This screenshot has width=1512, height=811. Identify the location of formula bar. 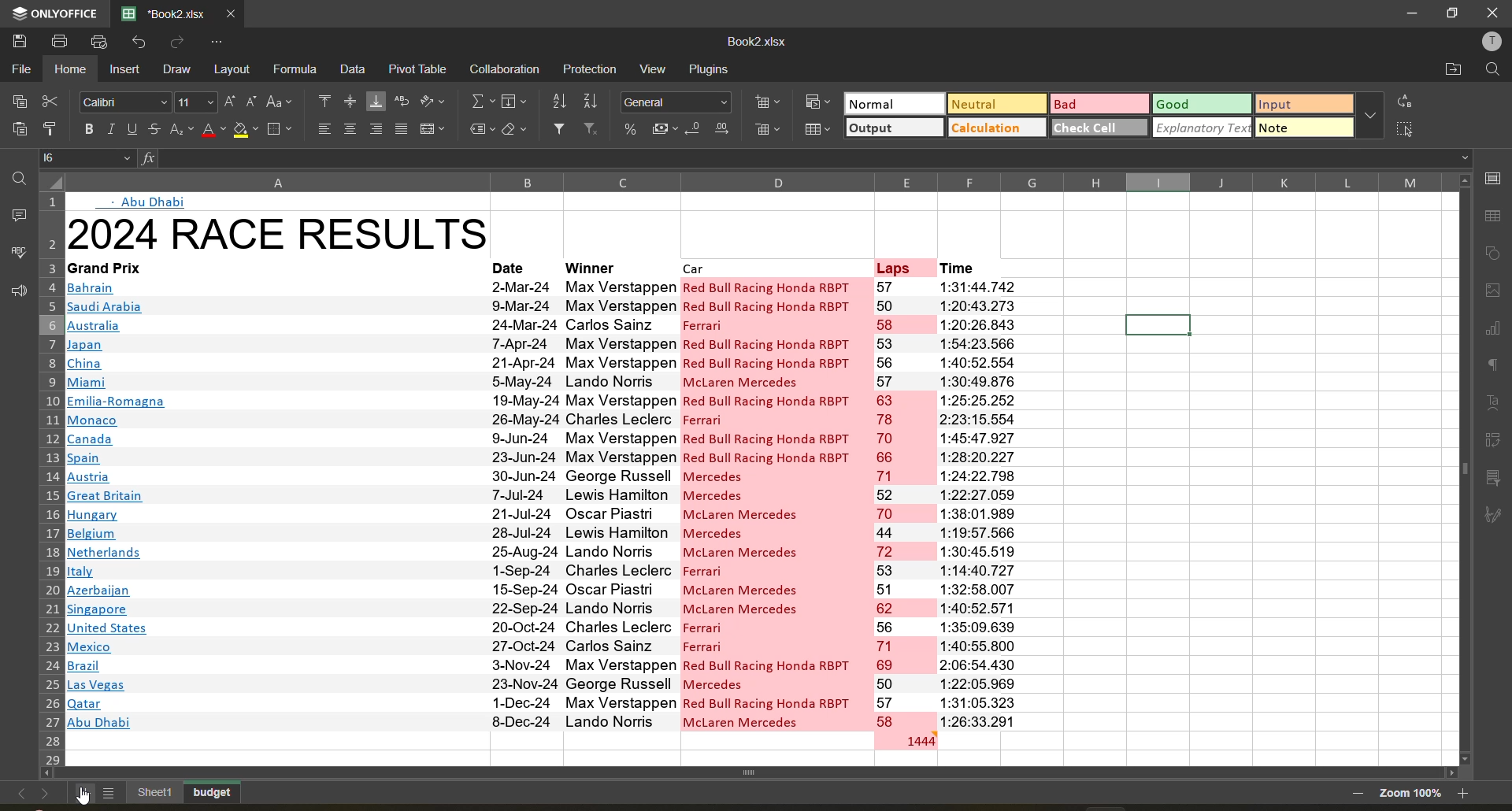
(804, 157).